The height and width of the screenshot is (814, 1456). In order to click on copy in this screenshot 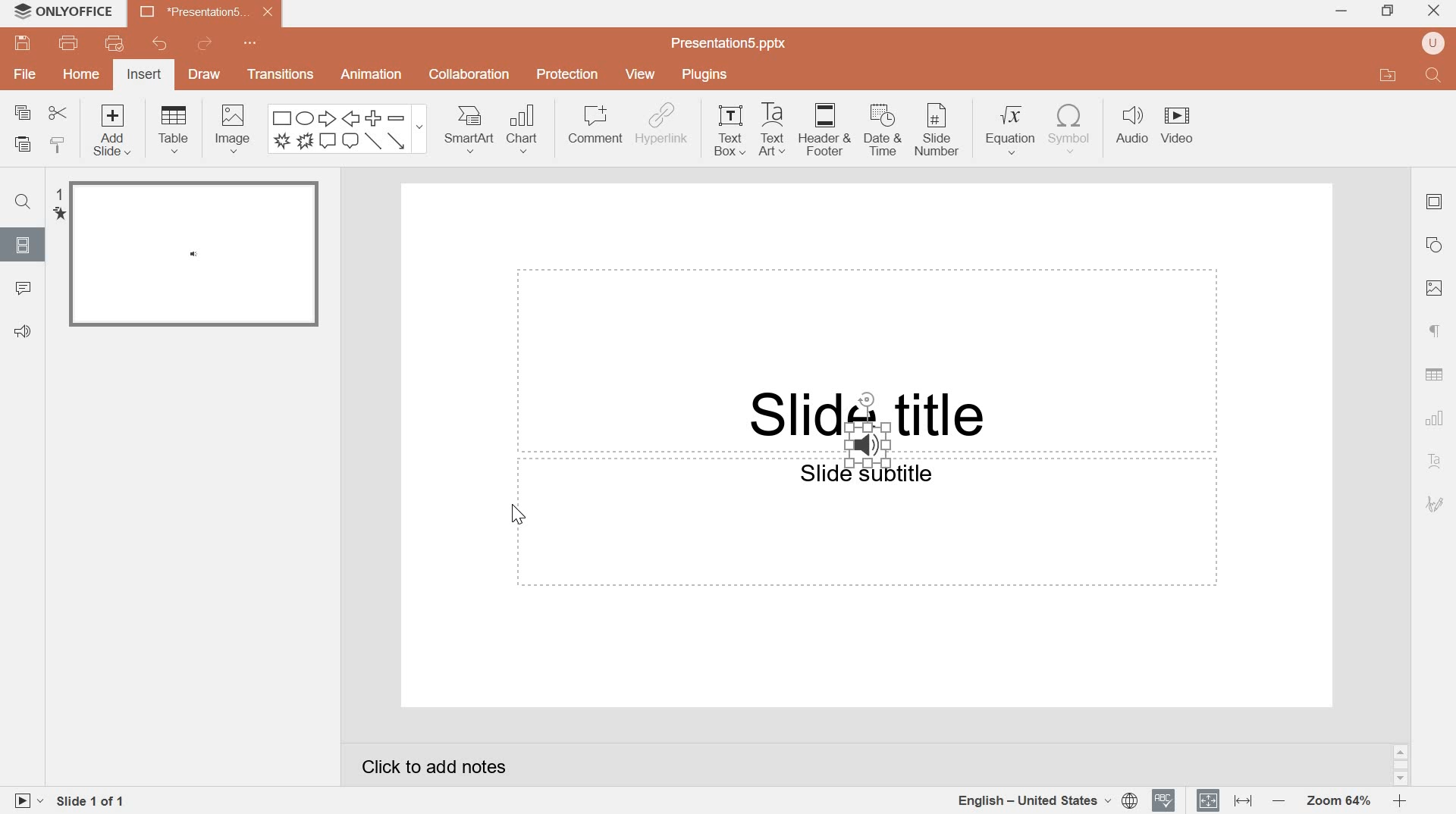, I will do `click(24, 112)`.